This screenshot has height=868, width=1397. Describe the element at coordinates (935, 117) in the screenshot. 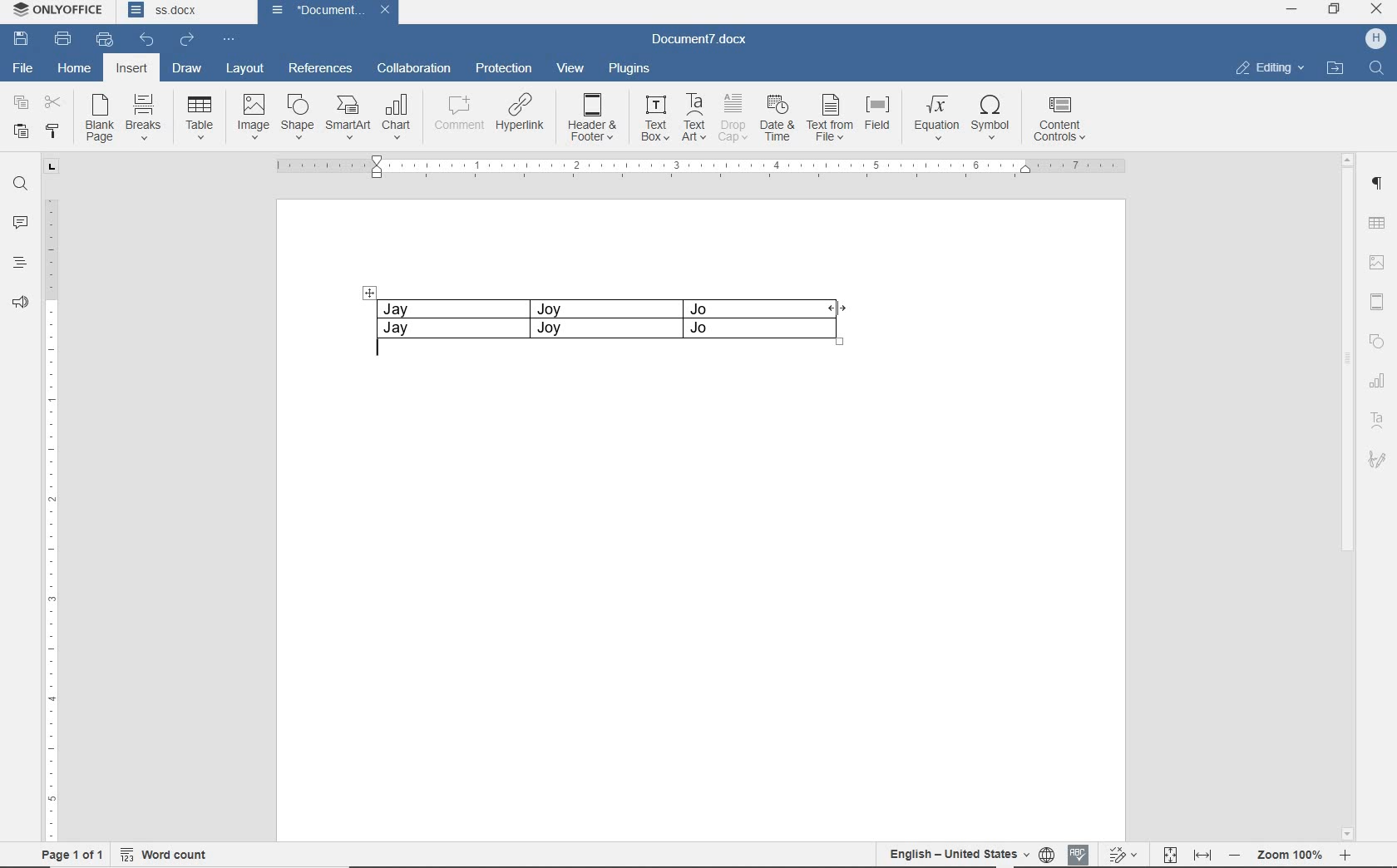

I see `EQUATION` at that location.